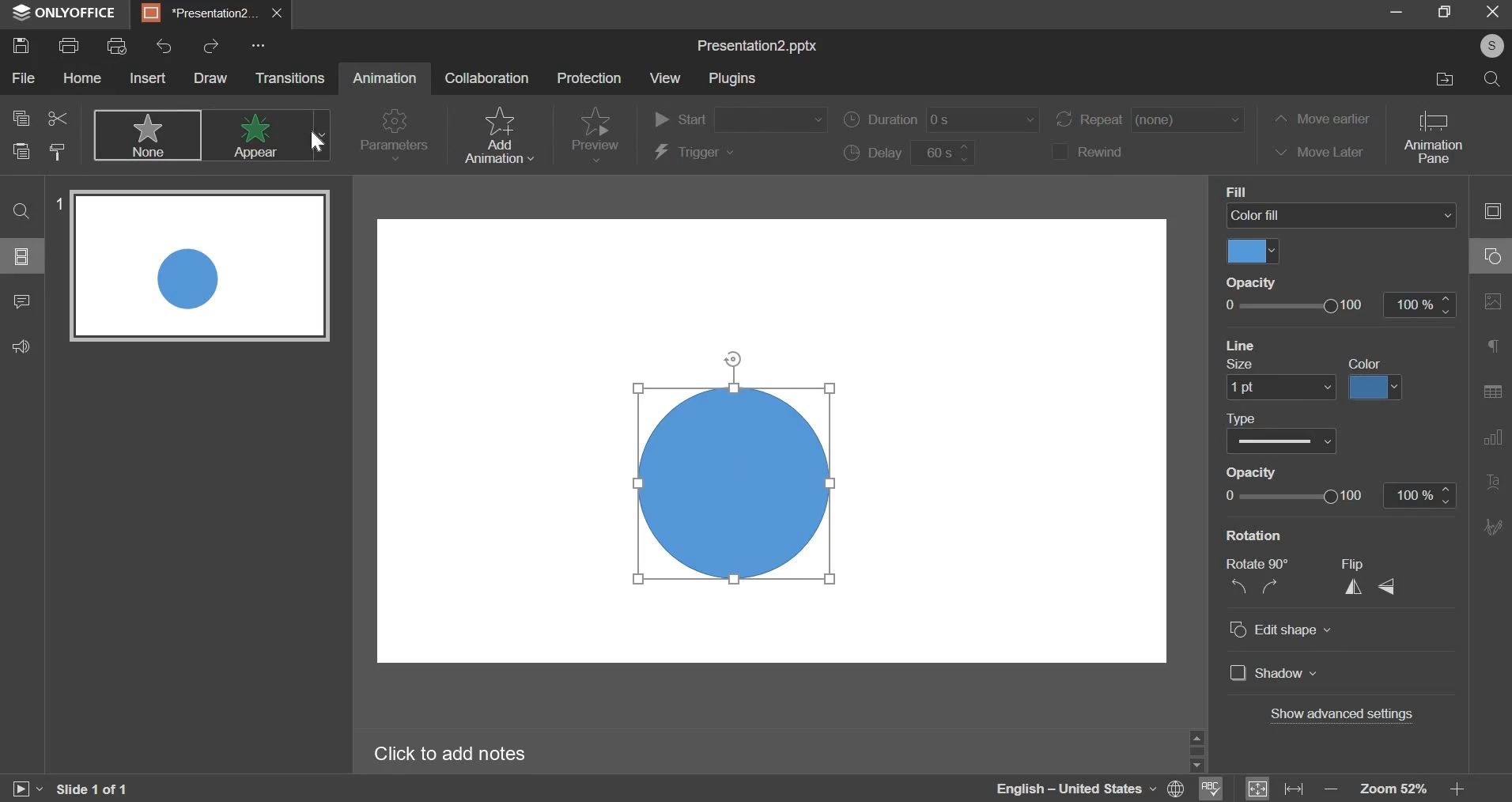 This screenshot has height=802, width=1512. Describe the element at coordinates (211, 16) in the screenshot. I see `presentation` at that location.